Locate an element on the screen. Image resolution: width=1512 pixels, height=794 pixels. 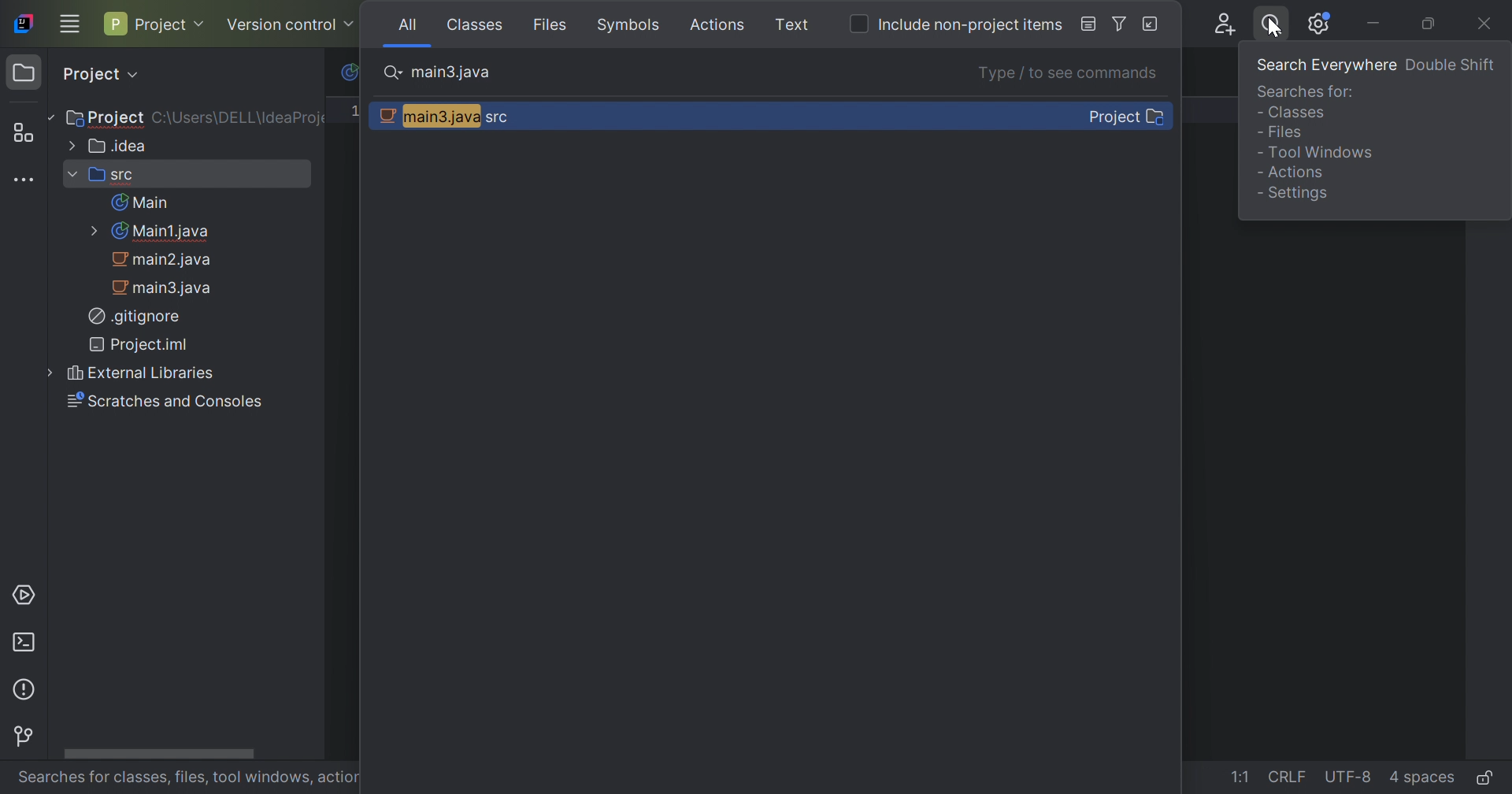
Code with me is located at coordinates (1226, 24).